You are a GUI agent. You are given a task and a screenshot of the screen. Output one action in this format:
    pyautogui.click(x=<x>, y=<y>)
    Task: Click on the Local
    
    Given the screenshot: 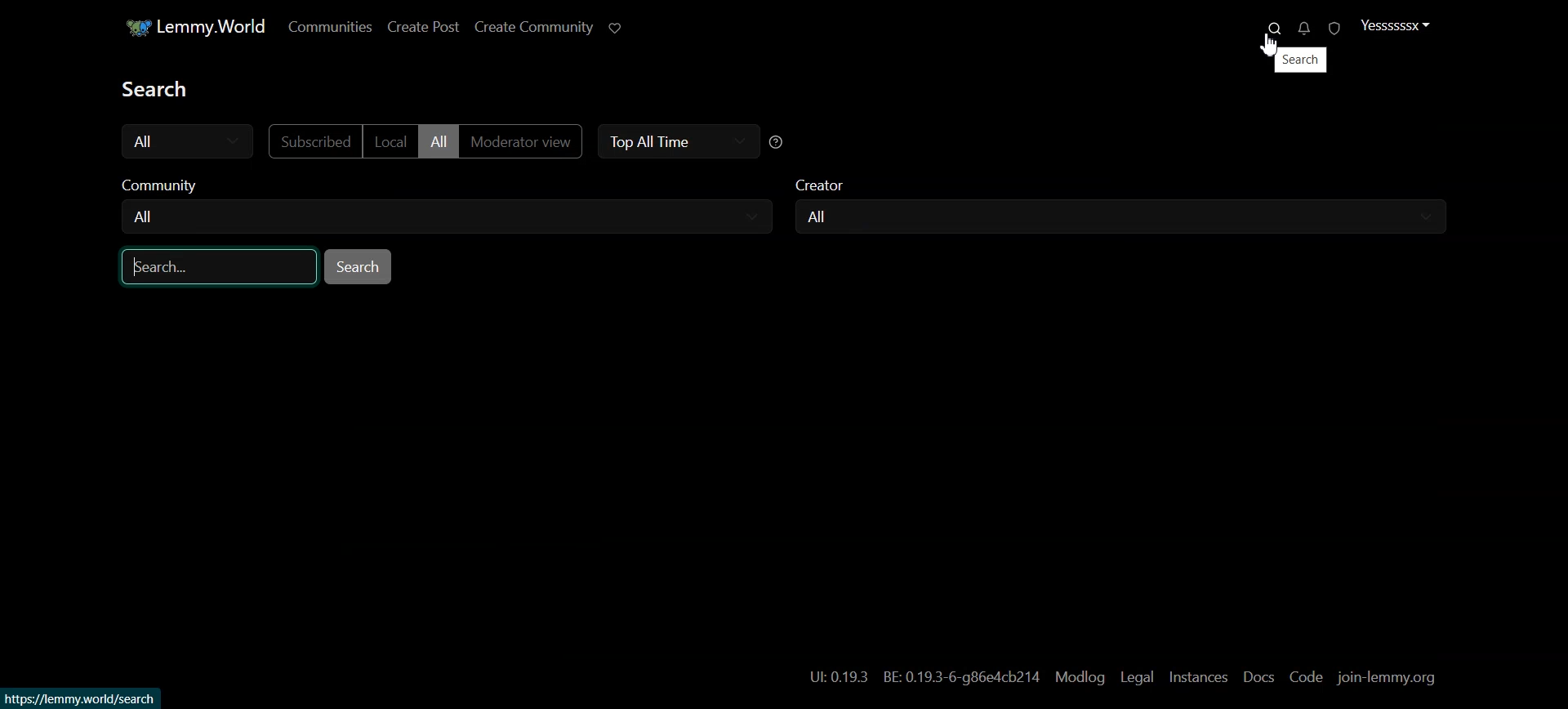 What is the action you would take?
    pyautogui.click(x=389, y=142)
    